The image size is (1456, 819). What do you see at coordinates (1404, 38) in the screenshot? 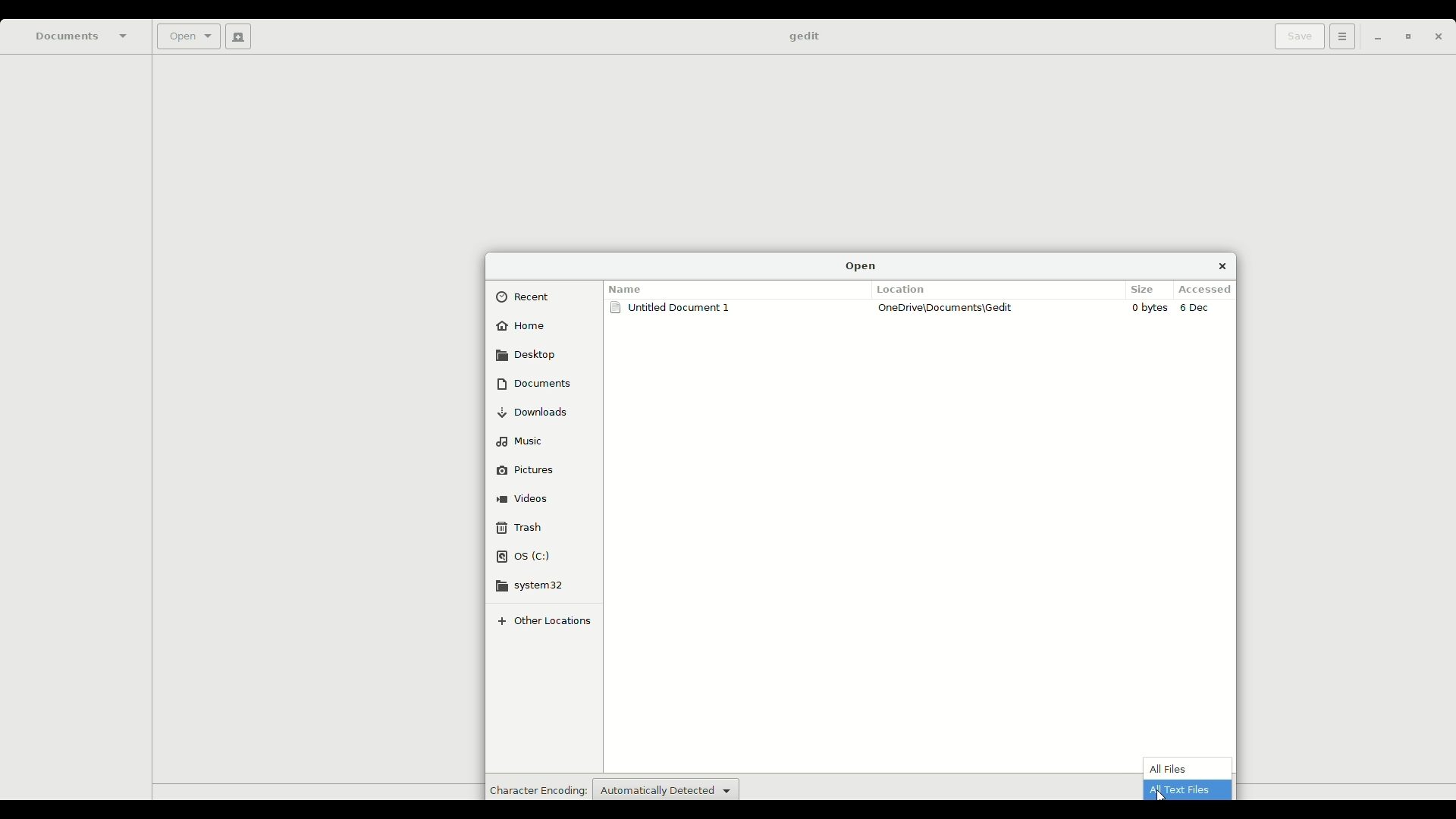
I see `Restore` at bounding box center [1404, 38].